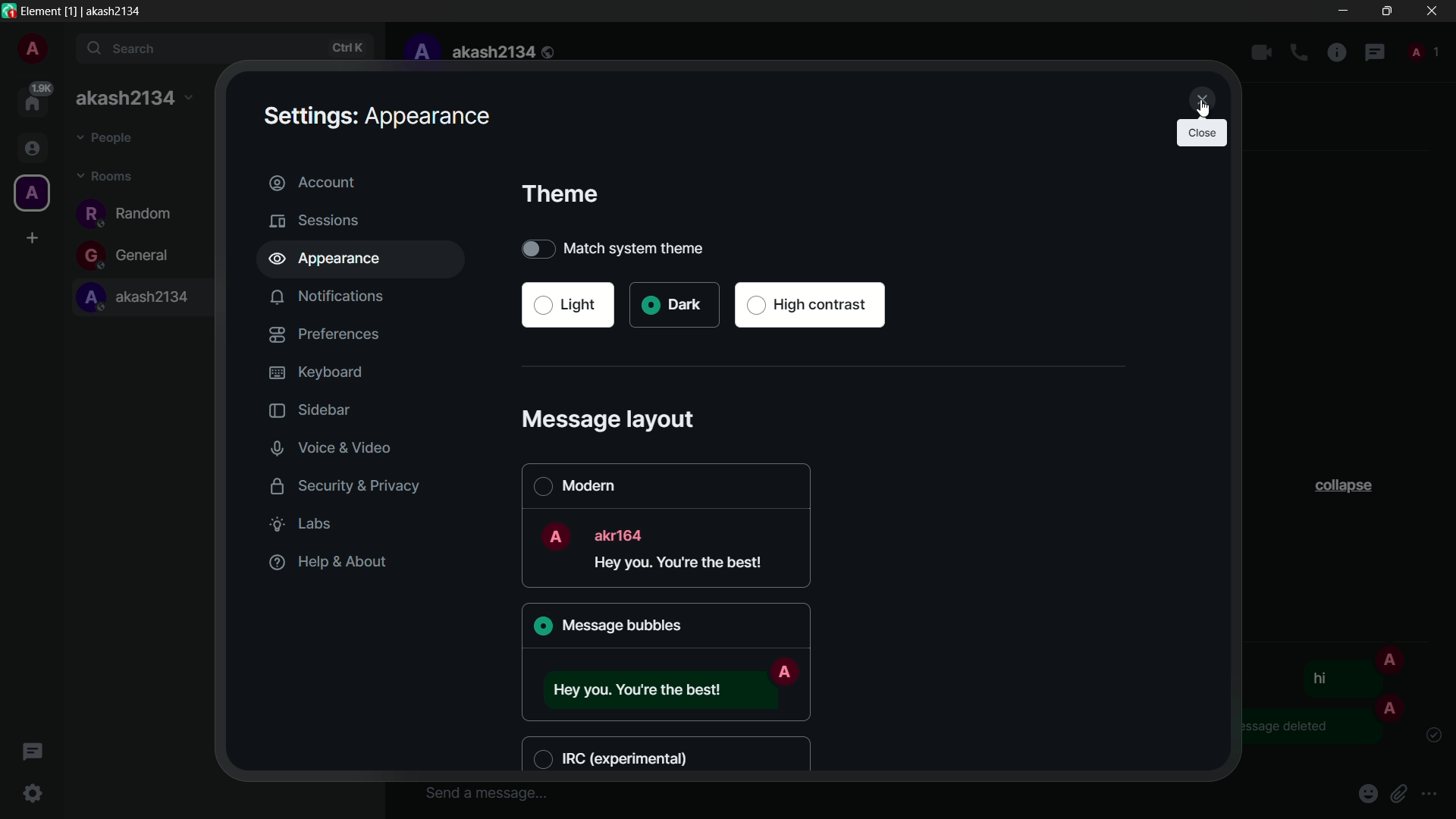 This screenshot has height=819, width=1456. Describe the element at coordinates (31, 754) in the screenshot. I see `threads` at that location.